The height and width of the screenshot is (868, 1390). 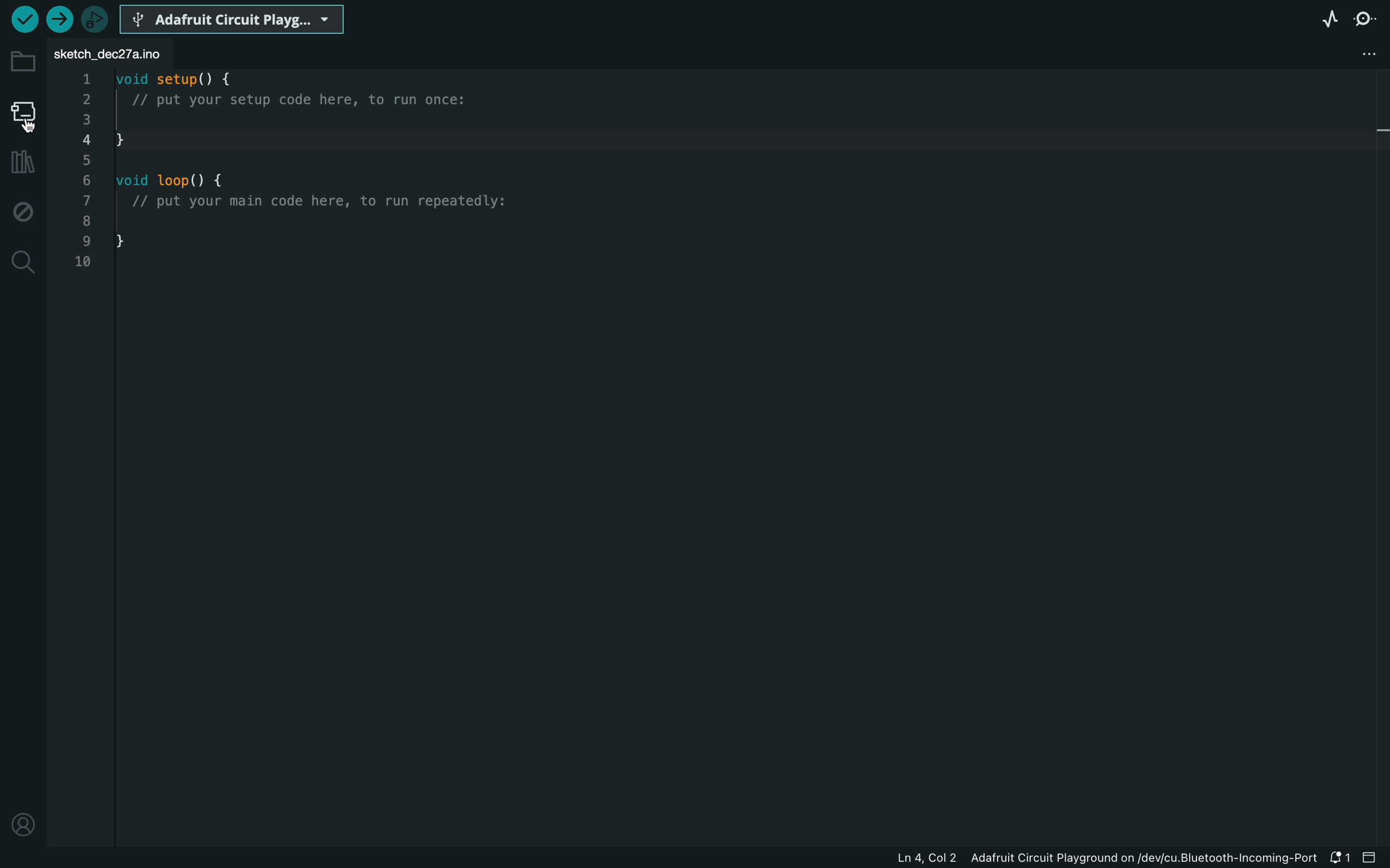 What do you see at coordinates (1328, 22) in the screenshot?
I see `serial plotter` at bounding box center [1328, 22].